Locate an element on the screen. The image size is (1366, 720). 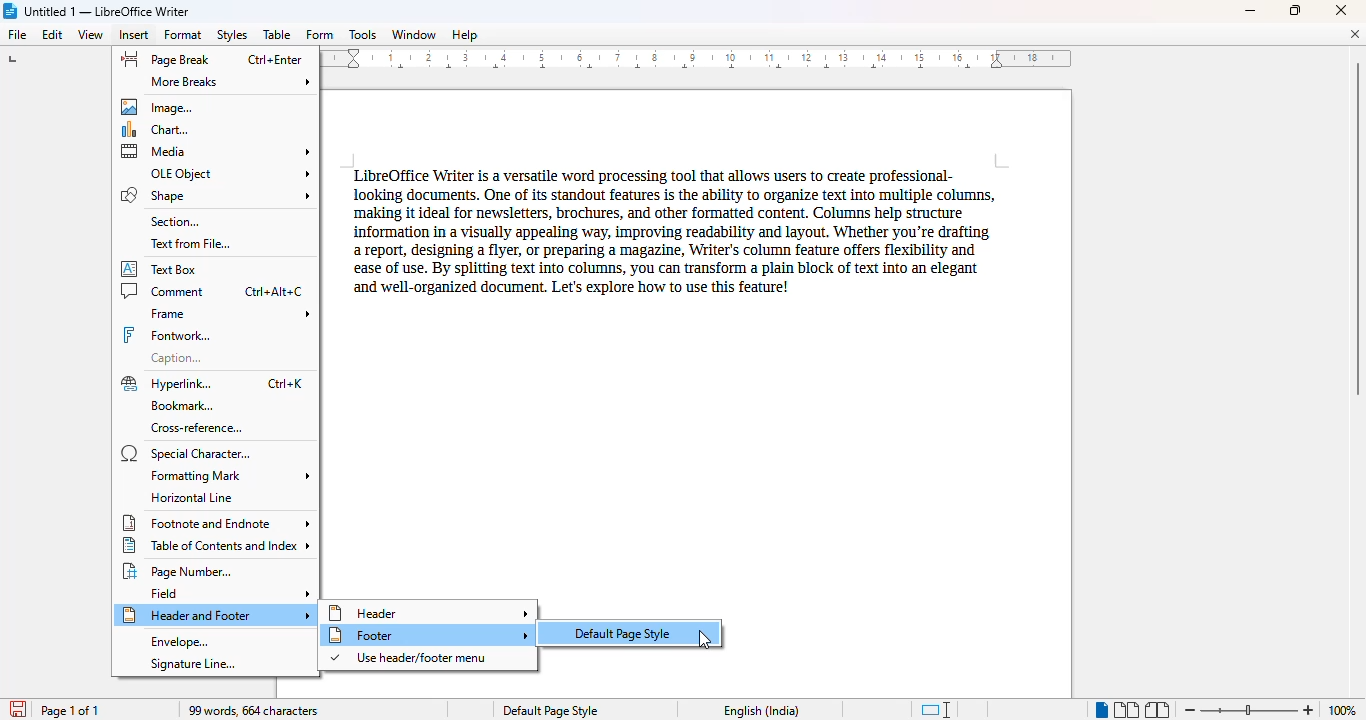
close documemt is located at coordinates (1355, 34).